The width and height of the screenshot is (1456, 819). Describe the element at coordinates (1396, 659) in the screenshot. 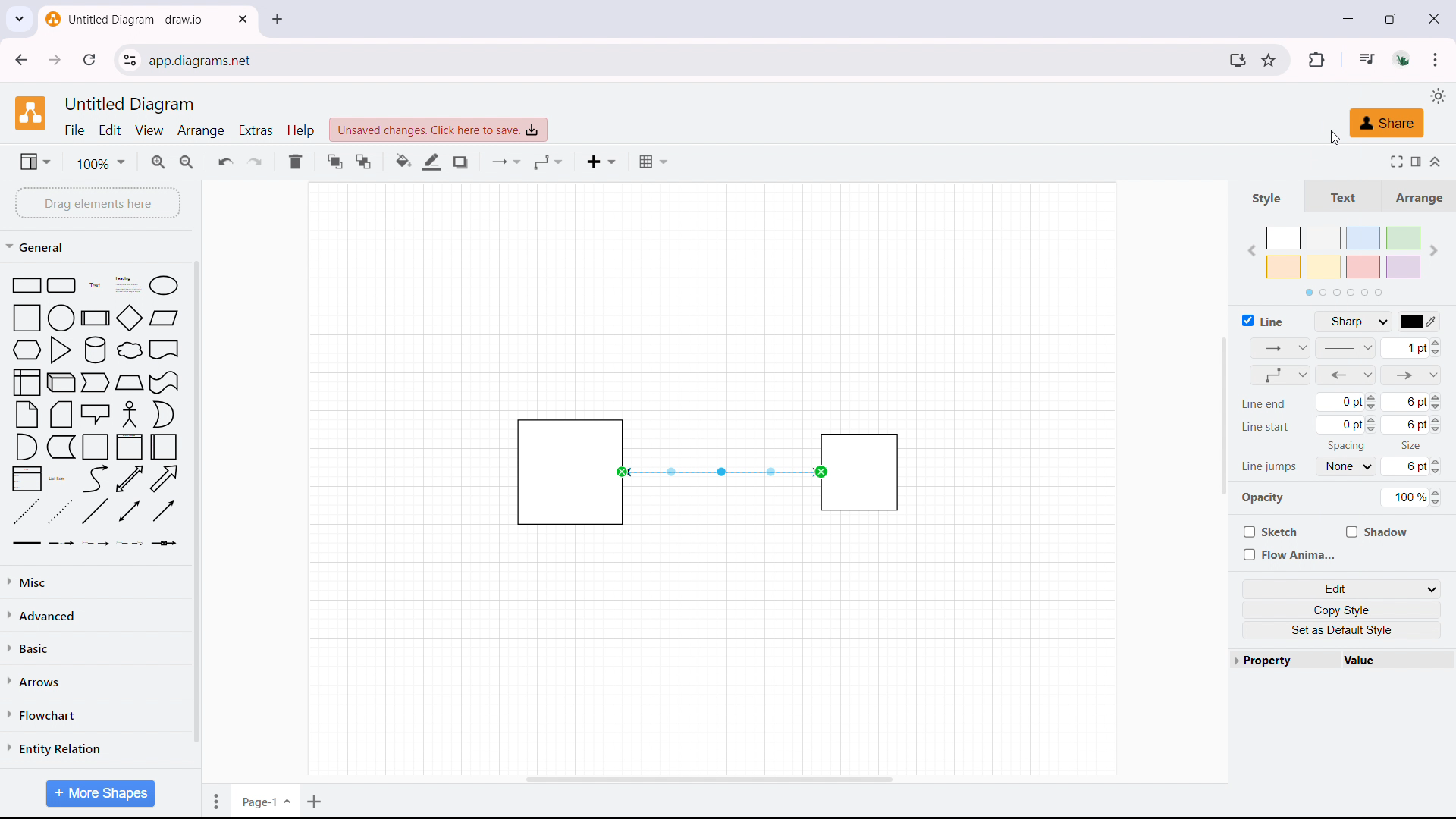

I see `value` at that location.